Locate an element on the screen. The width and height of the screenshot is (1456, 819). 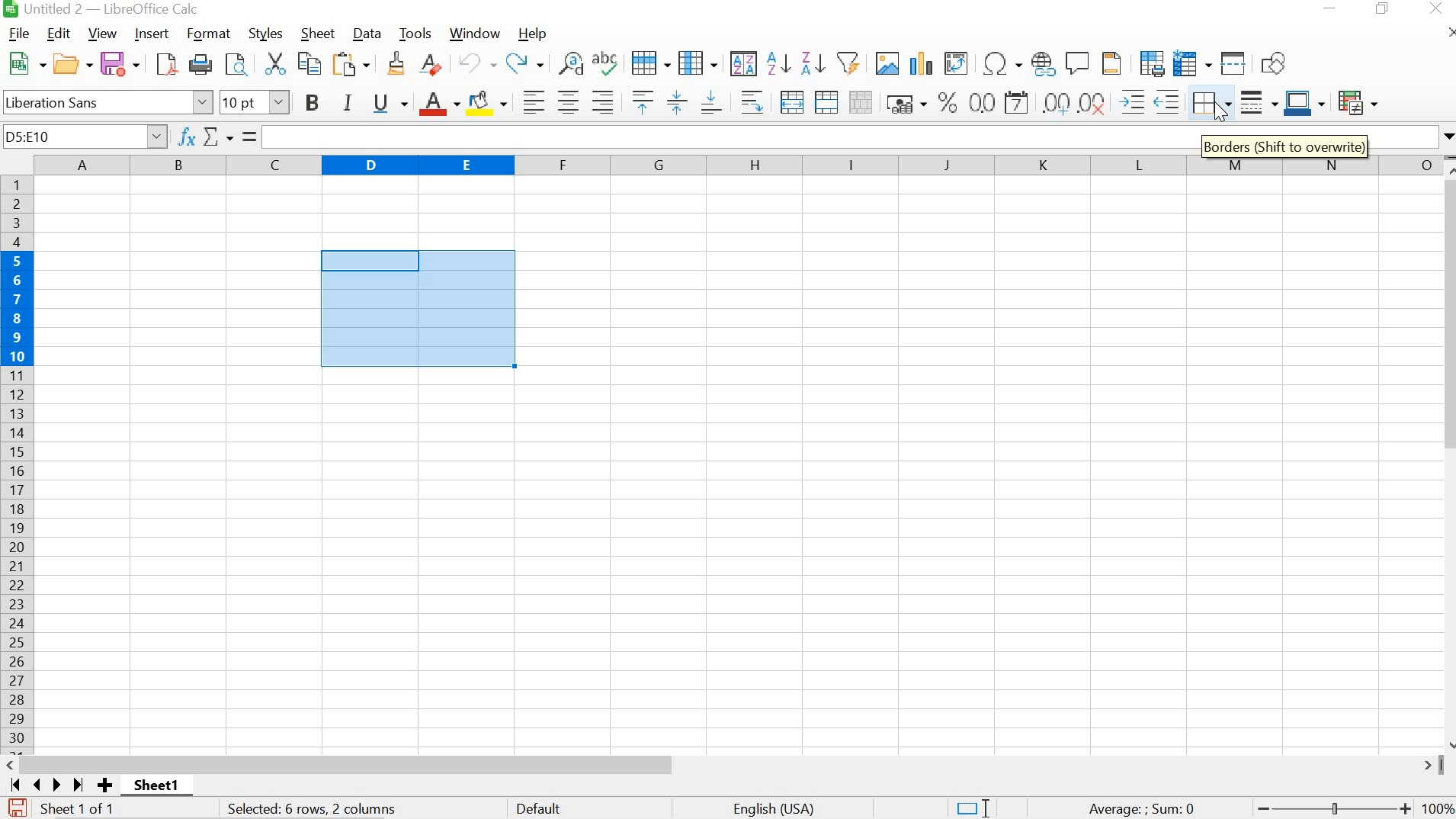
FIND is located at coordinates (240, 64).